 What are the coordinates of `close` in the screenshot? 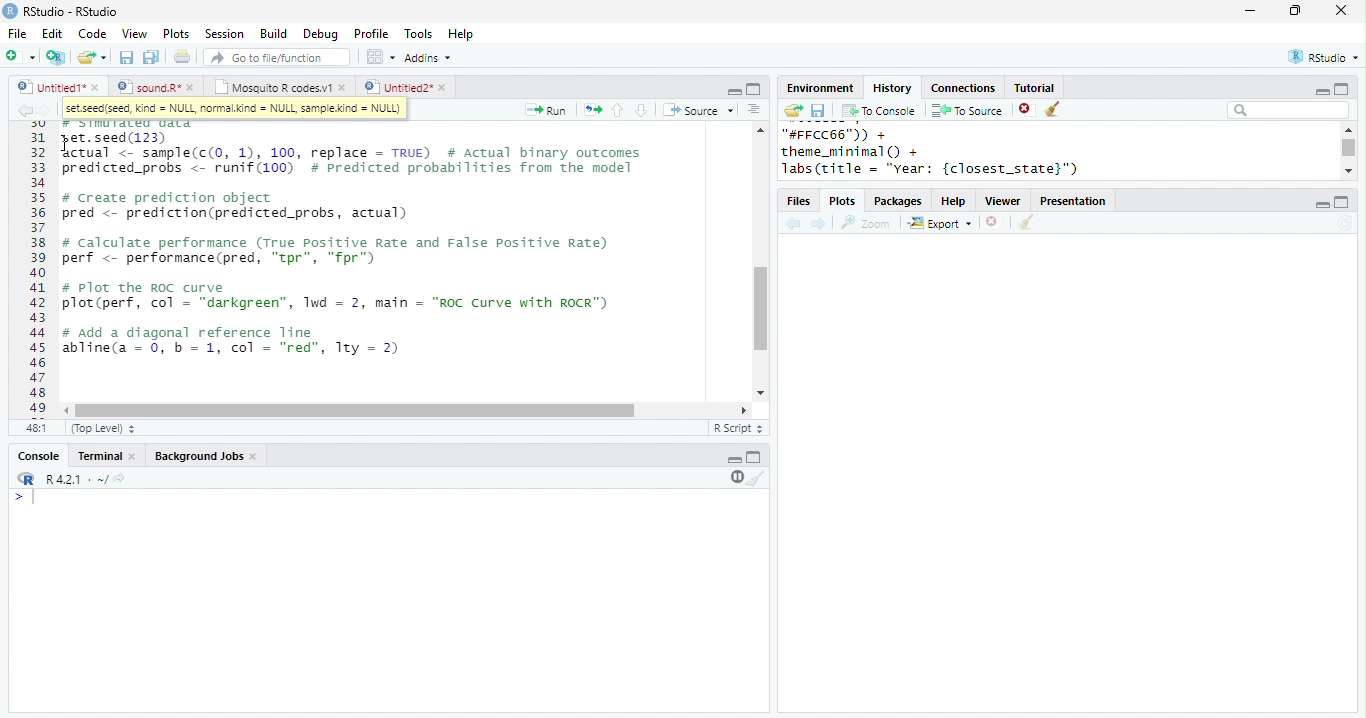 It's located at (194, 87).